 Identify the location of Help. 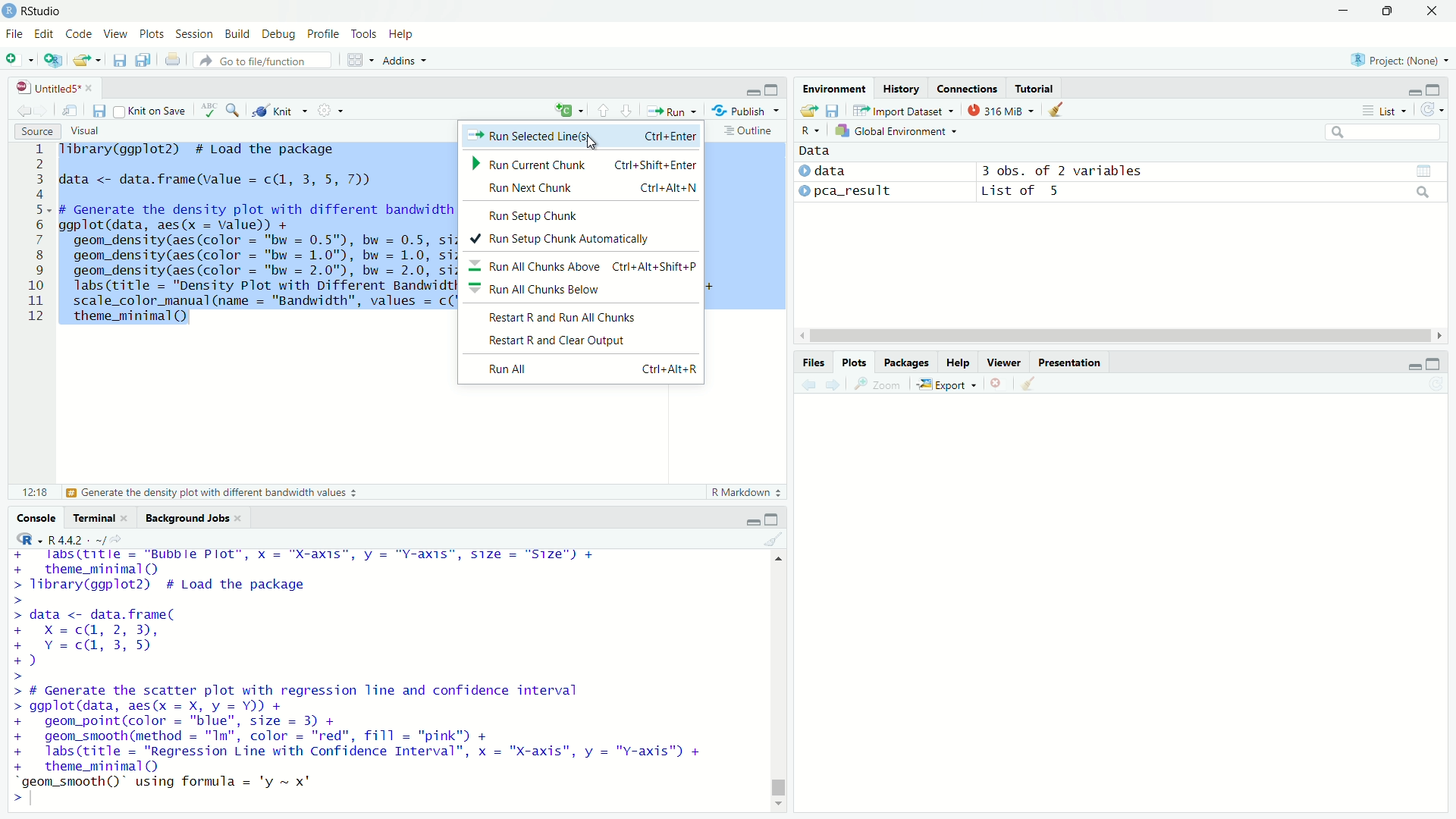
(402, 34).